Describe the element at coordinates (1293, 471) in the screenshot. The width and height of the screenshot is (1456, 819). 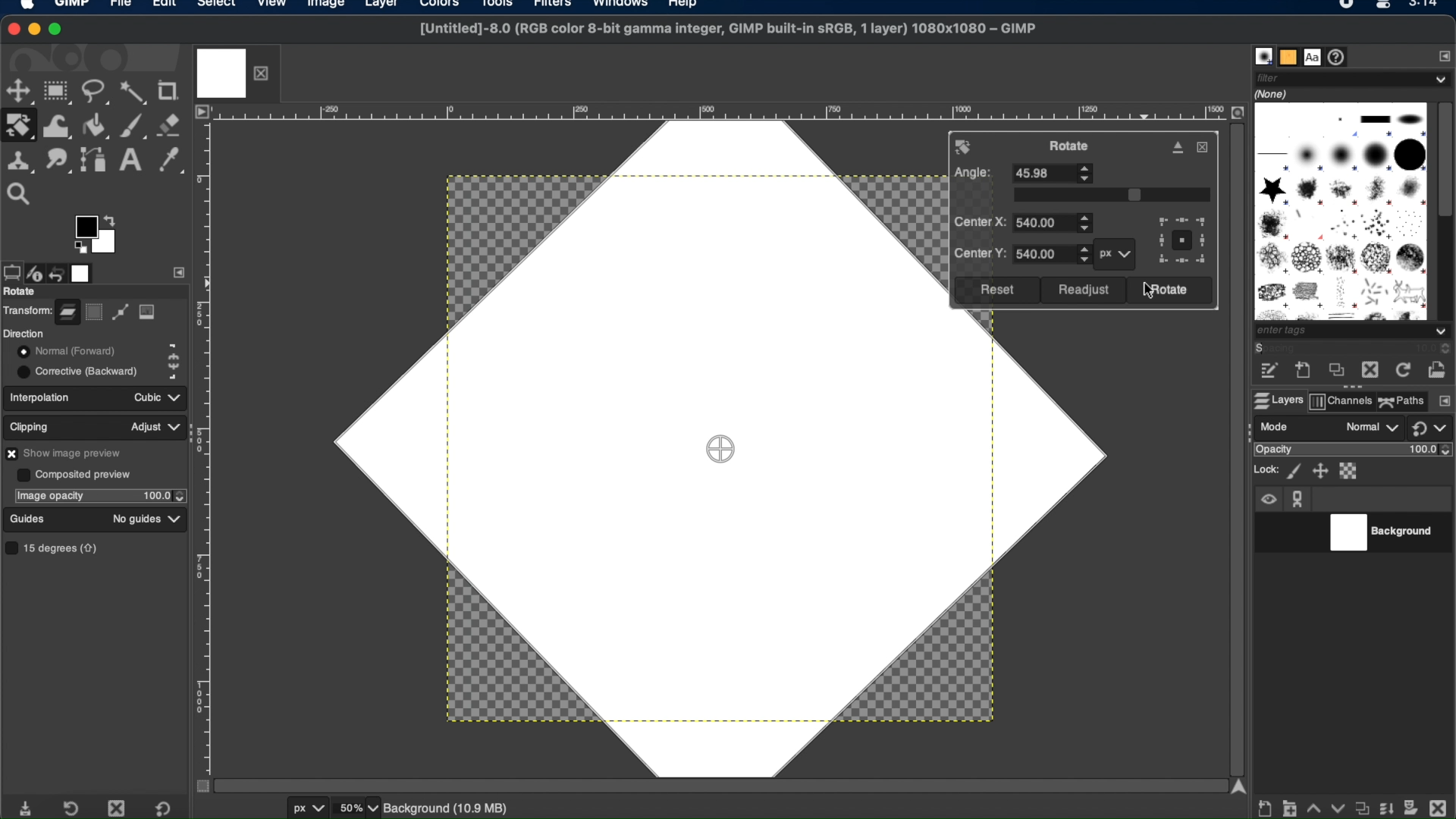
I see `lock pixels` at that location.